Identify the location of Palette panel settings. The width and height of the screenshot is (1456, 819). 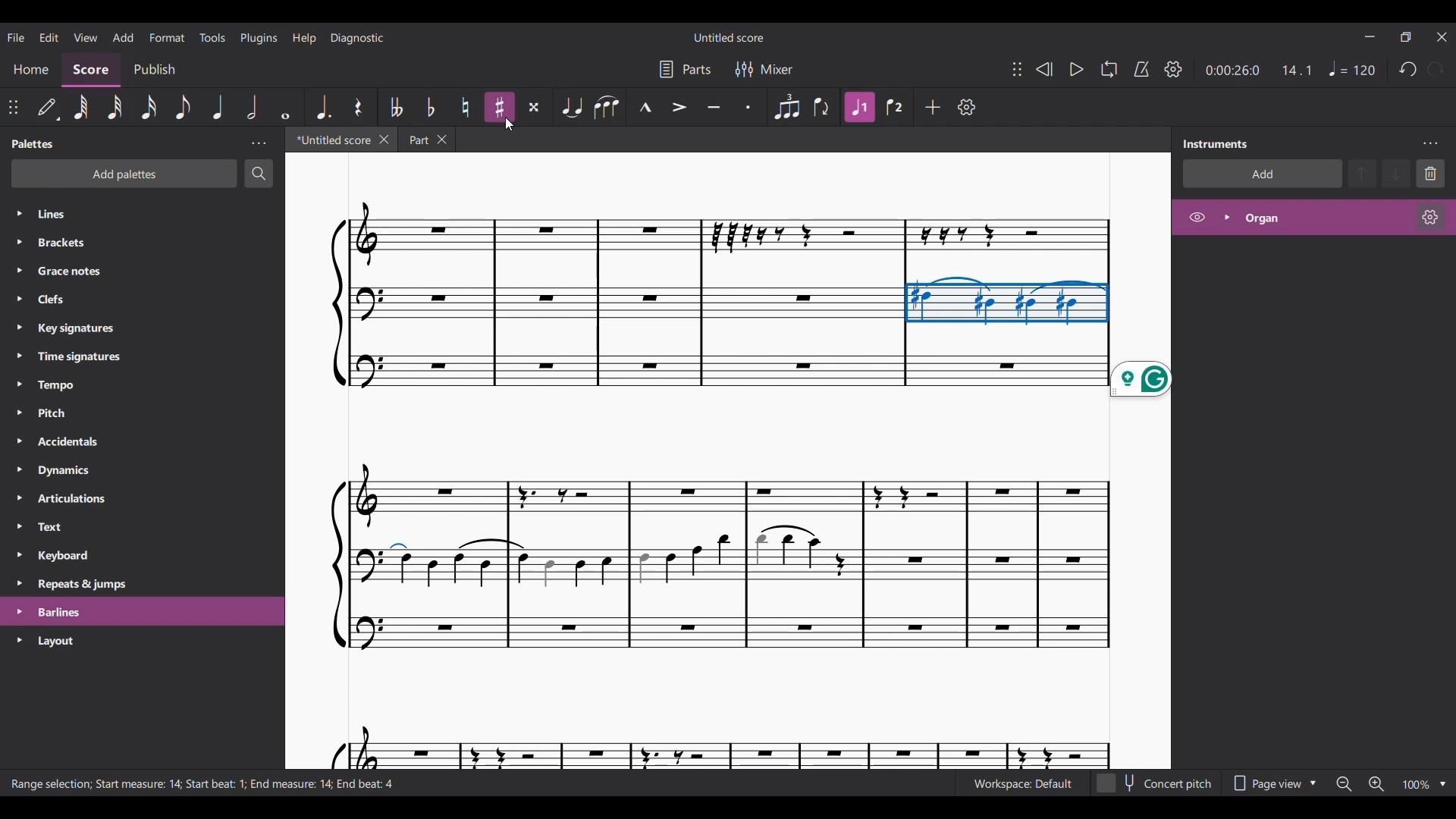
(259, 143).